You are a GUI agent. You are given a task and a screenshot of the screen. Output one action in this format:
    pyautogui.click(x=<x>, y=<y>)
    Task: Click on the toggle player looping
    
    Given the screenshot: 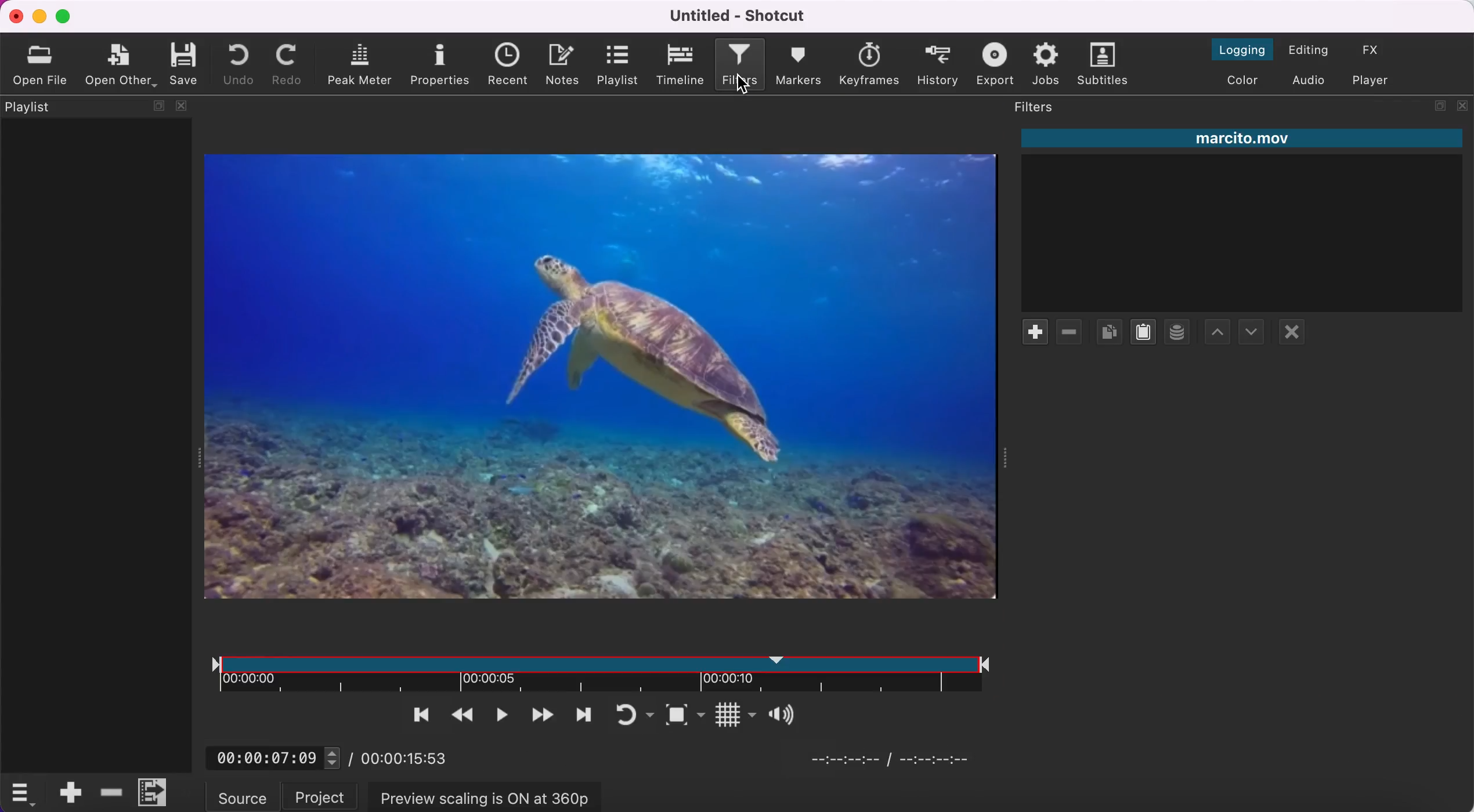 What is the action you would take?
    pyautogui.click(x=619, y=713)
    